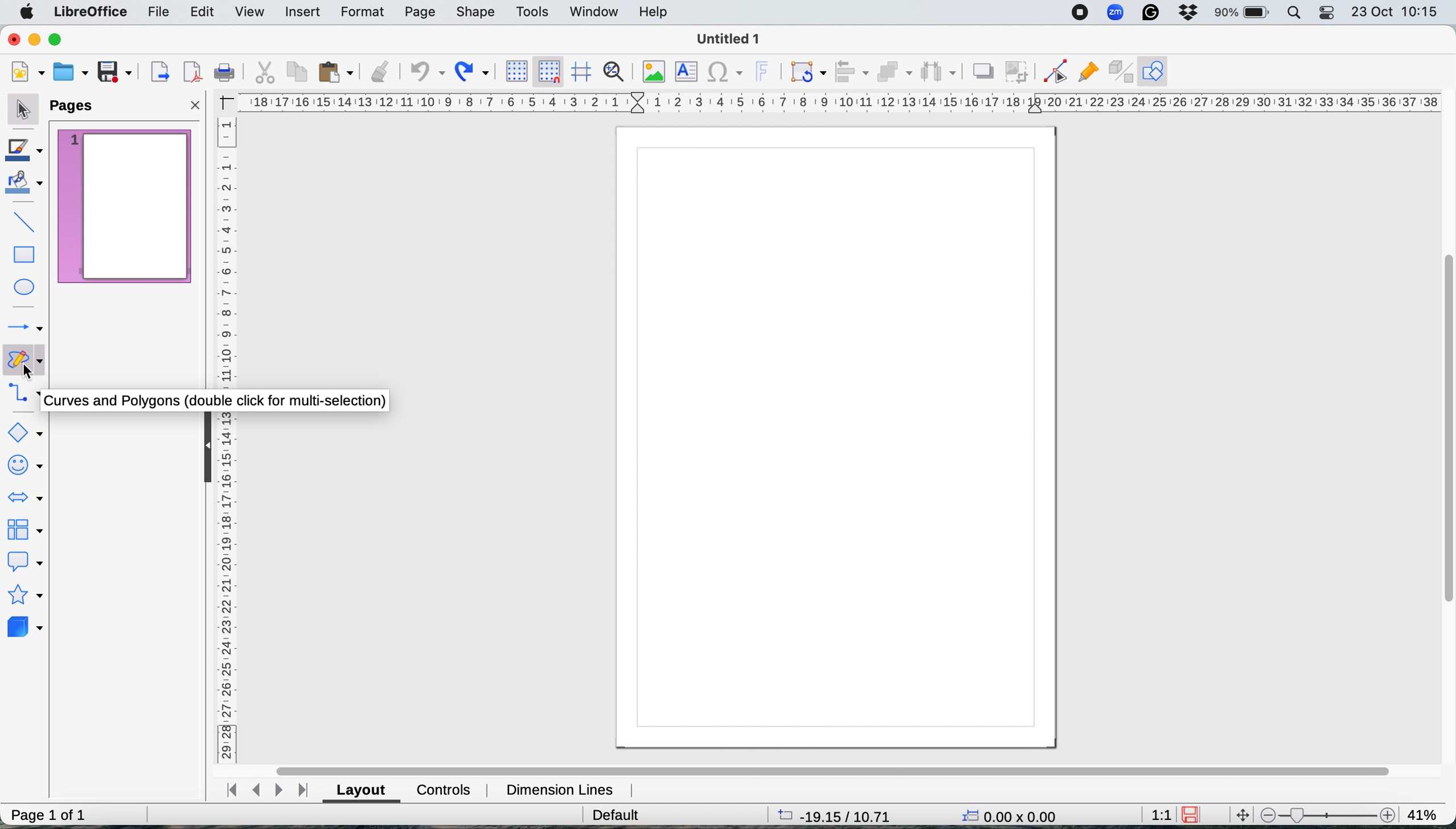 The image size is (1456, 829). What do you see at coordinates (381, 71) in the screenshot?
I see `clone formatting` at bounding box center [381, 71].